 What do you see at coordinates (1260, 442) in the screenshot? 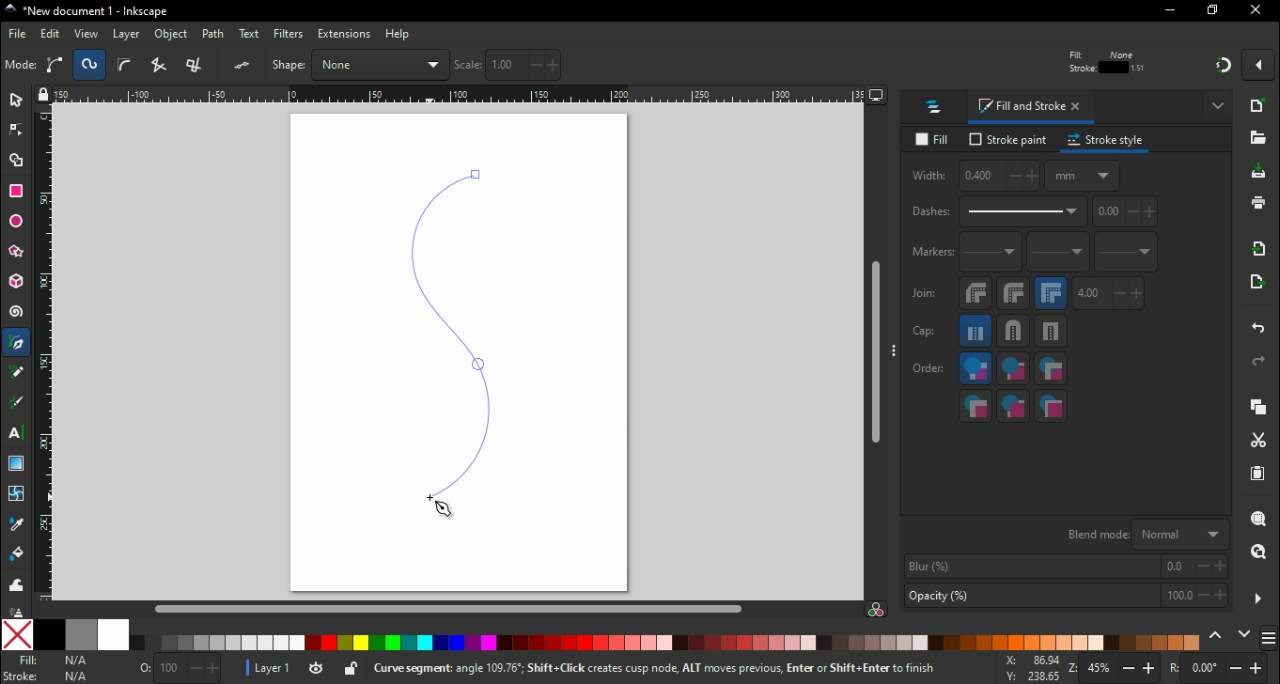
I see `cut` at bounding box center [1260, 442].